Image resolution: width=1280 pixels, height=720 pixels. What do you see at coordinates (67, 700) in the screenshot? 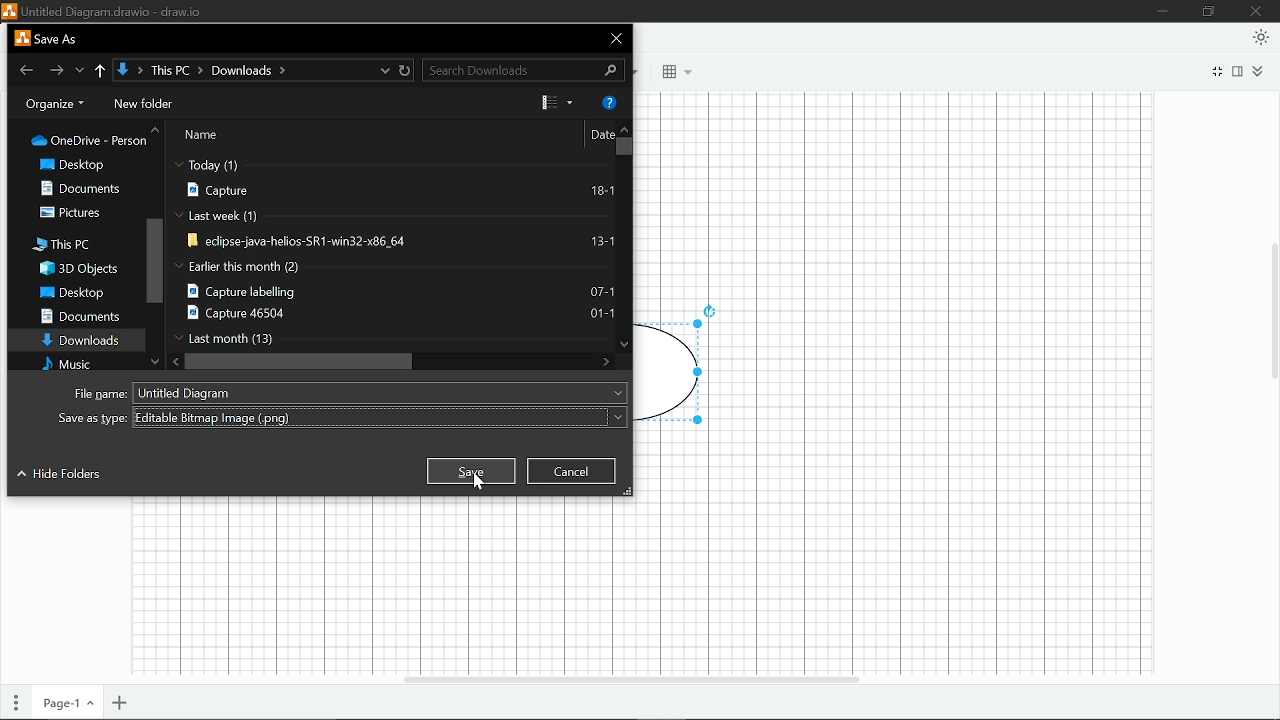
I see `Current page` at bounding box center [67, 700].